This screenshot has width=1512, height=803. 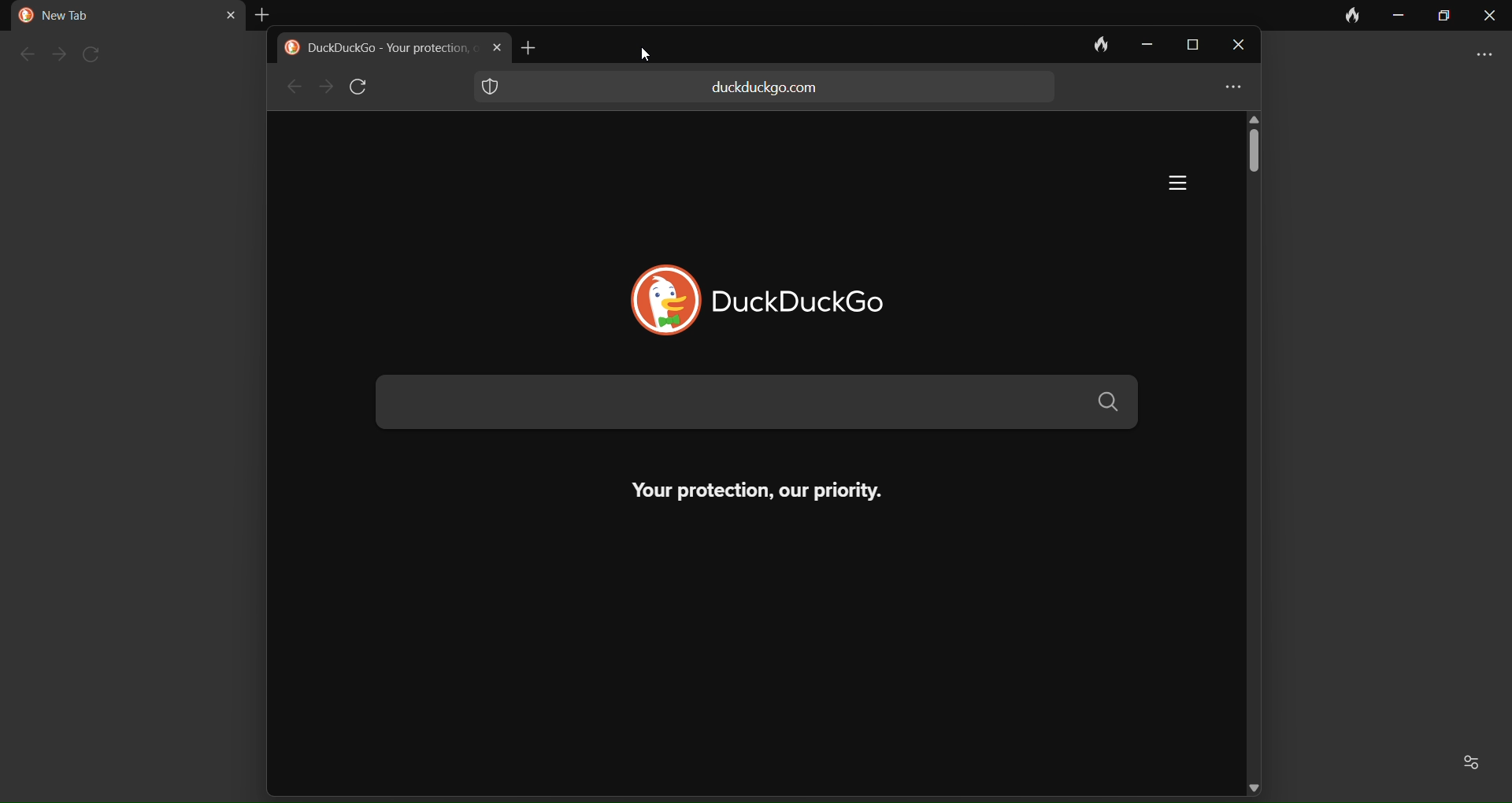 I want to click on menu, so click(x=1228, y=89).